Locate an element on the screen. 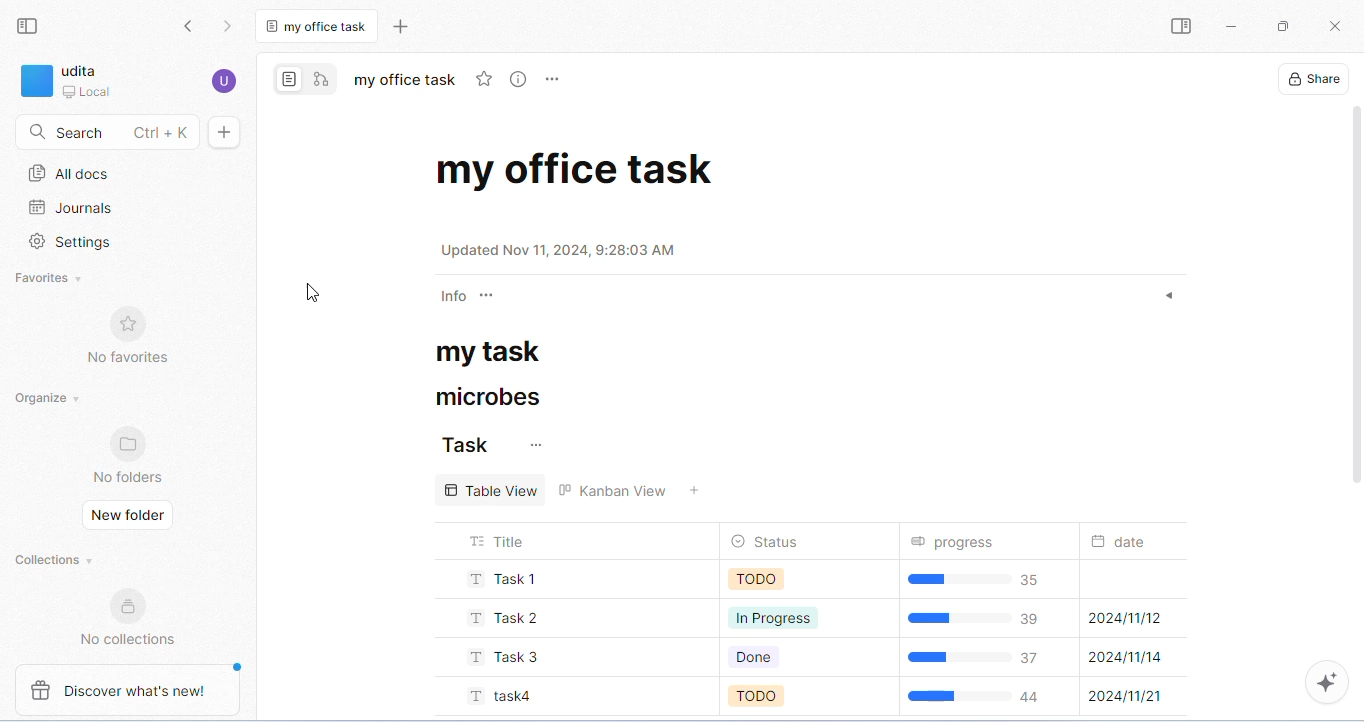 The width and height of the screenshot is (1364, 722). info is located at coordinates (451, 297).